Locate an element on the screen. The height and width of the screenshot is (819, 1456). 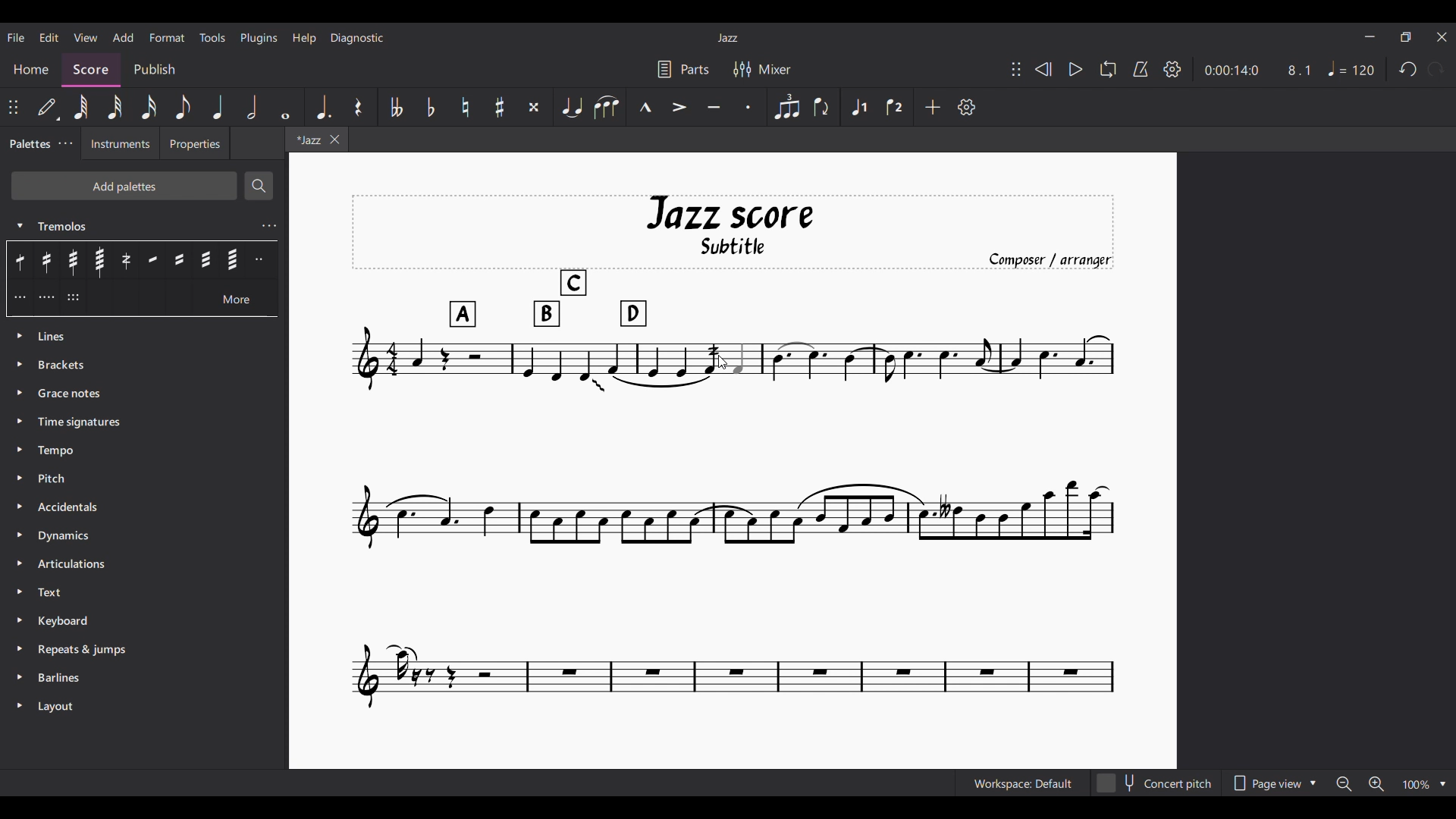
Search is located at coordinates (259, 186).